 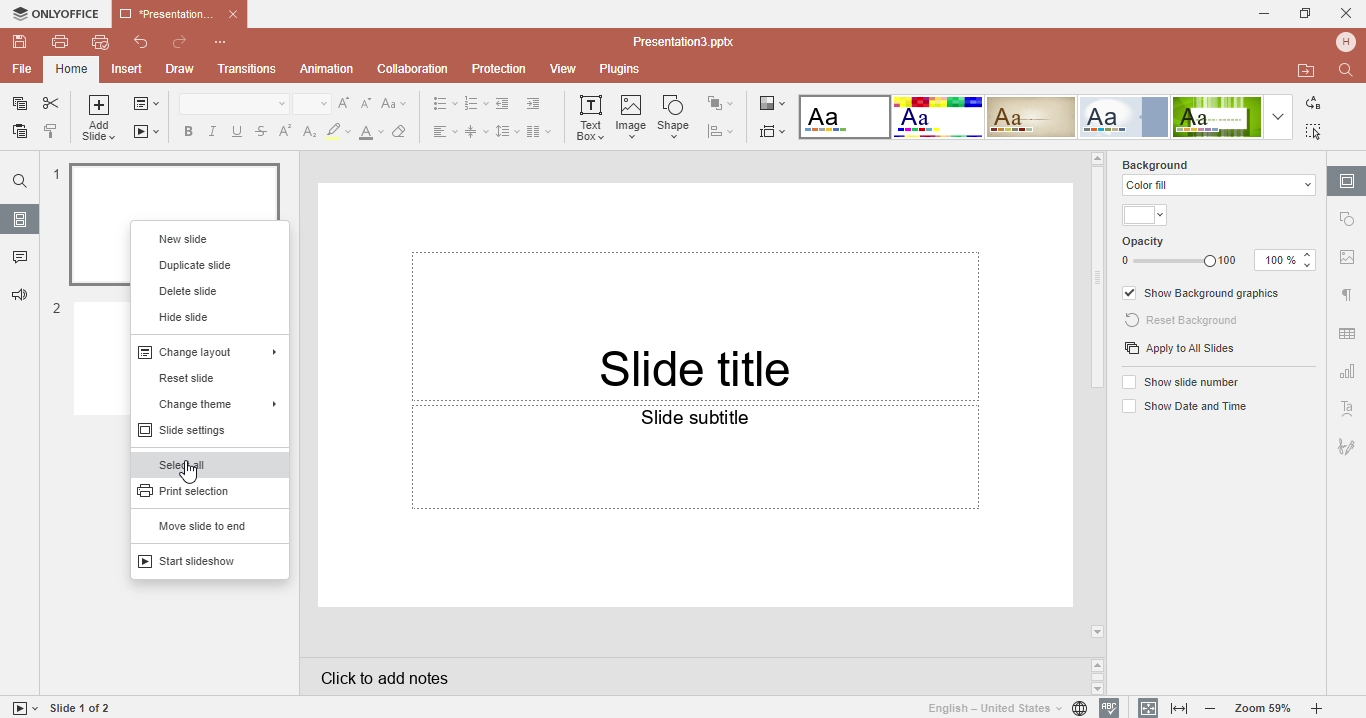 I want to click on Chart setting, so click(x=1346, y=374).